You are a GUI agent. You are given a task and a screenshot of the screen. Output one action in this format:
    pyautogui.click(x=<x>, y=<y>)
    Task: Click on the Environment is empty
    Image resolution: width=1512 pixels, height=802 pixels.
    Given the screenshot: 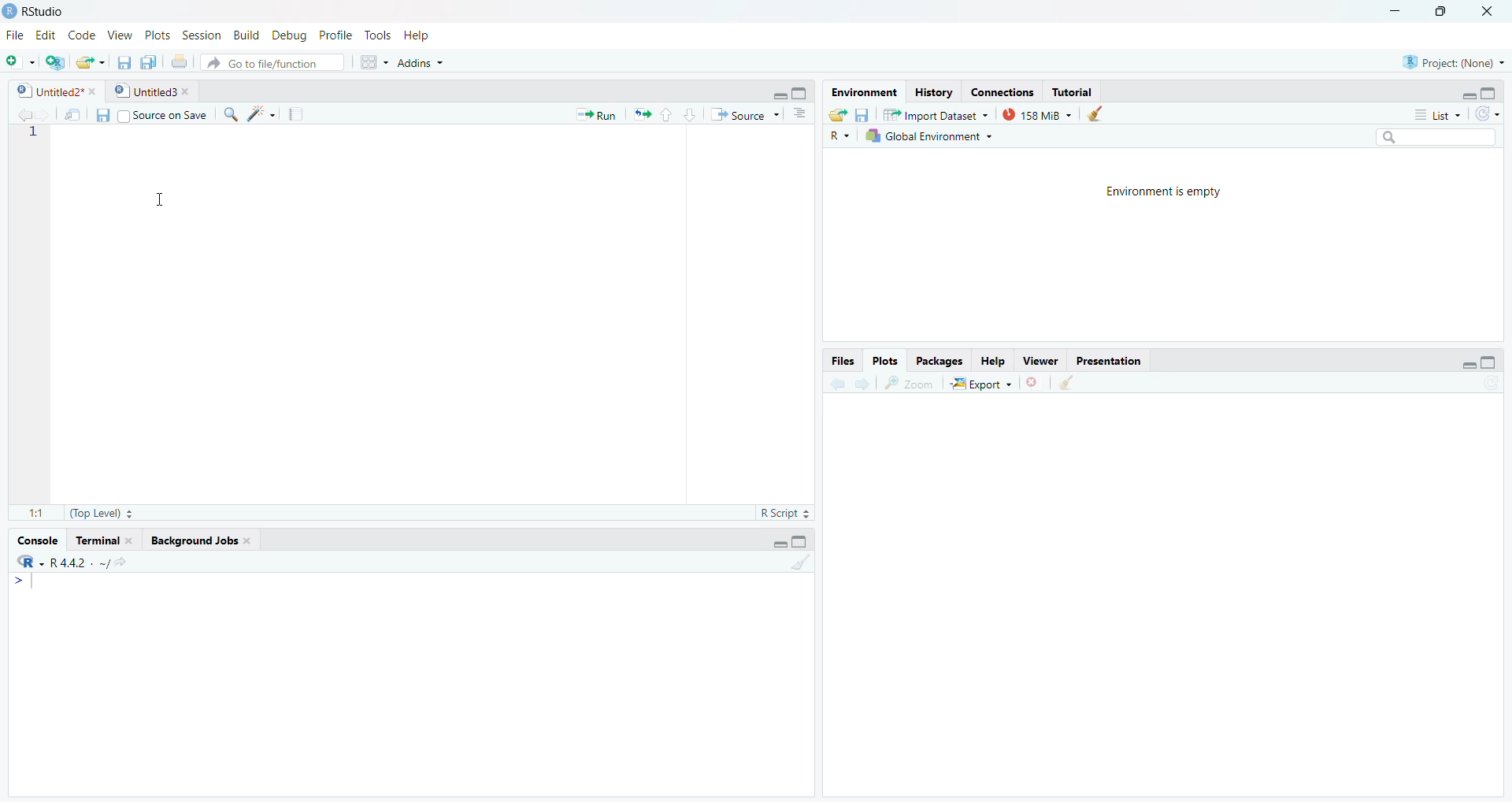 What is the action you would take?
    pyautogui.click(x=1161, y=245)
    